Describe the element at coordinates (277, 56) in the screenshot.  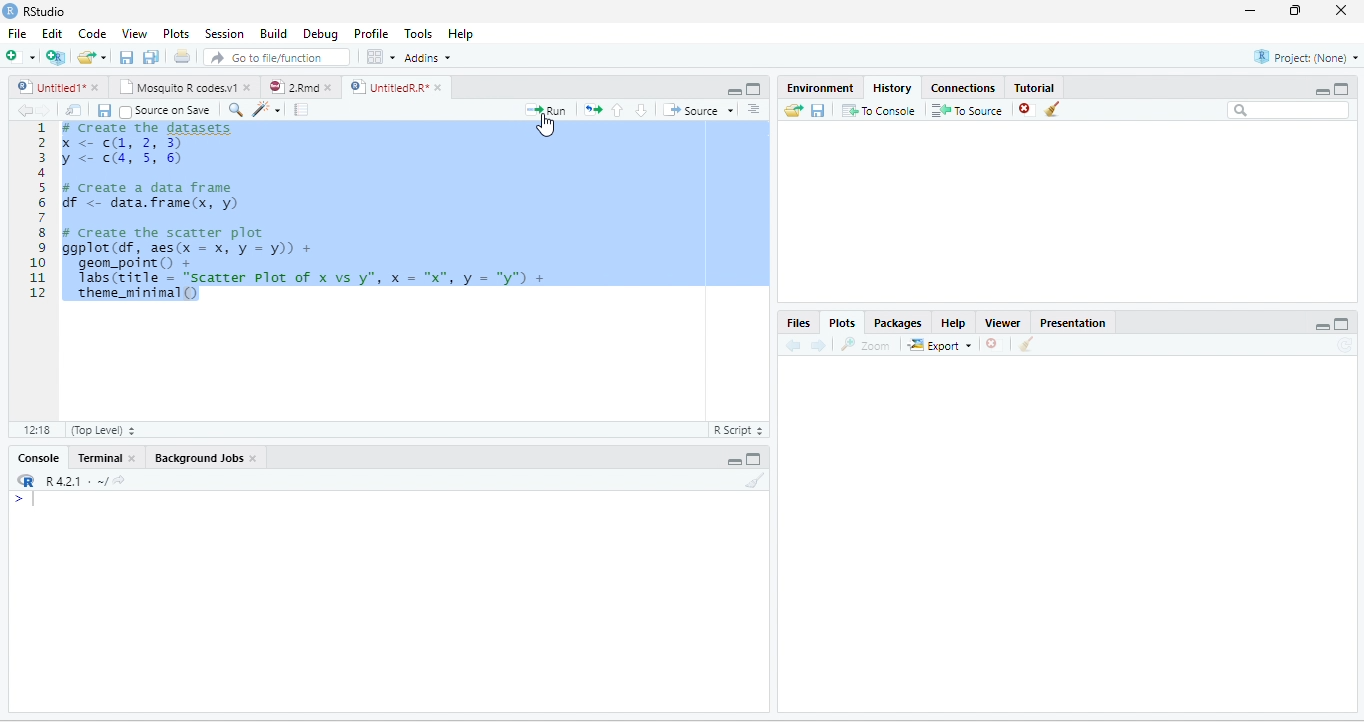
I see `Go to file/function` at that location.